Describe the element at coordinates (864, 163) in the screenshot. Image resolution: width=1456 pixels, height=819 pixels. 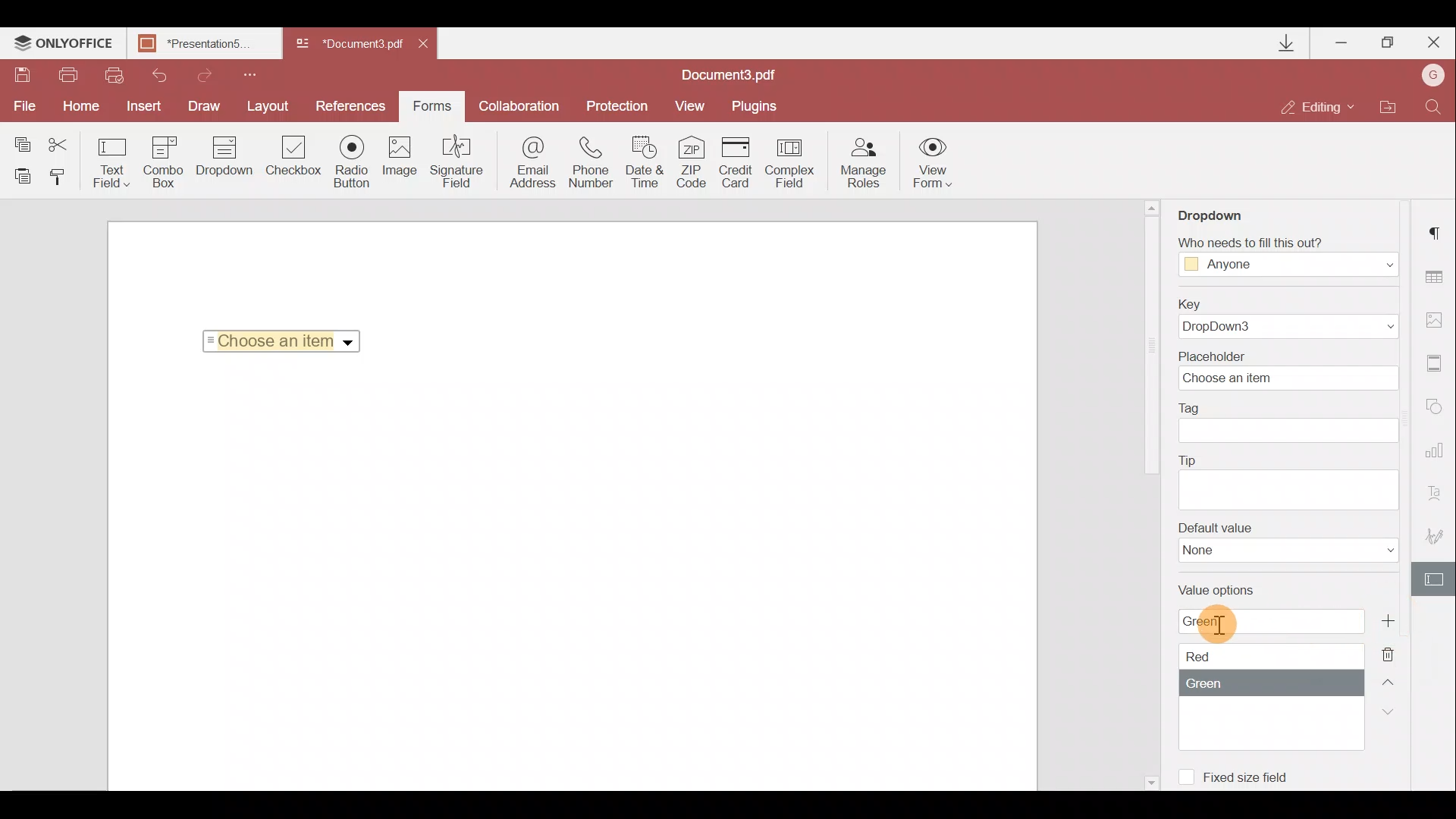
I see `Manage roles` at that location.